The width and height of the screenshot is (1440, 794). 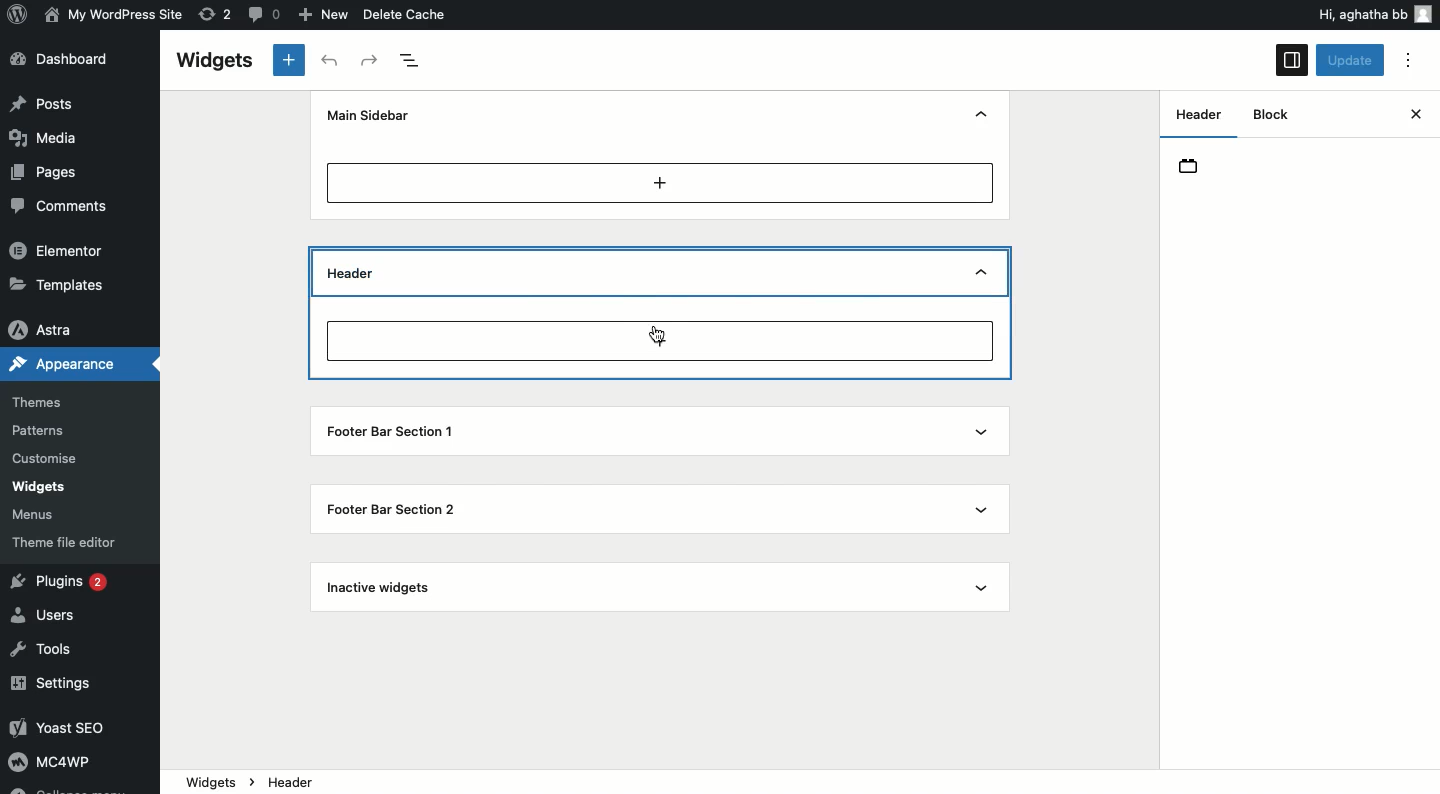 What do you see at coordinates (412, 61) in the screenshot?
I see `Document overview` at bounding box center [412, 61].